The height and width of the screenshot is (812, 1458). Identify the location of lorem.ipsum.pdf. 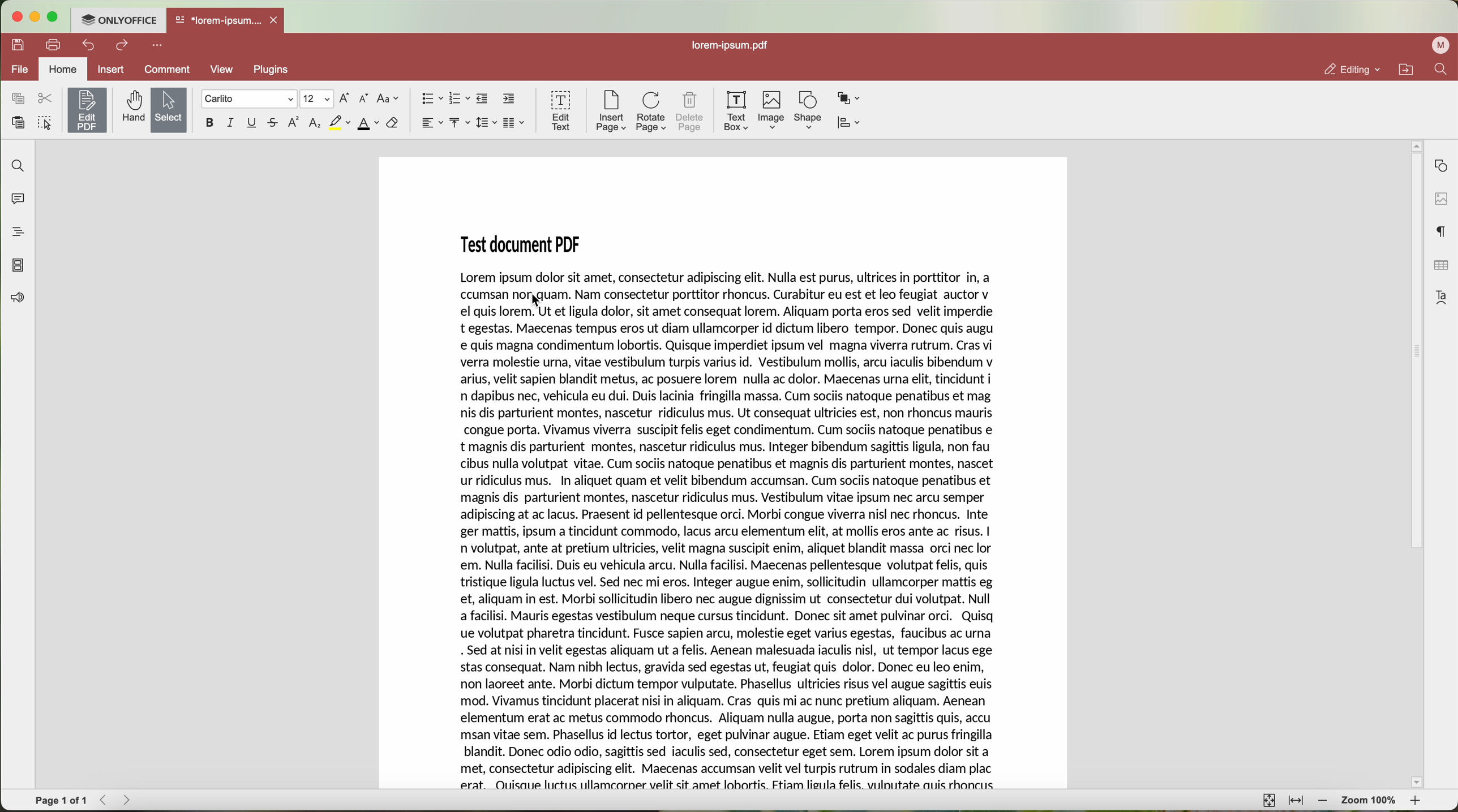
(734, 46).